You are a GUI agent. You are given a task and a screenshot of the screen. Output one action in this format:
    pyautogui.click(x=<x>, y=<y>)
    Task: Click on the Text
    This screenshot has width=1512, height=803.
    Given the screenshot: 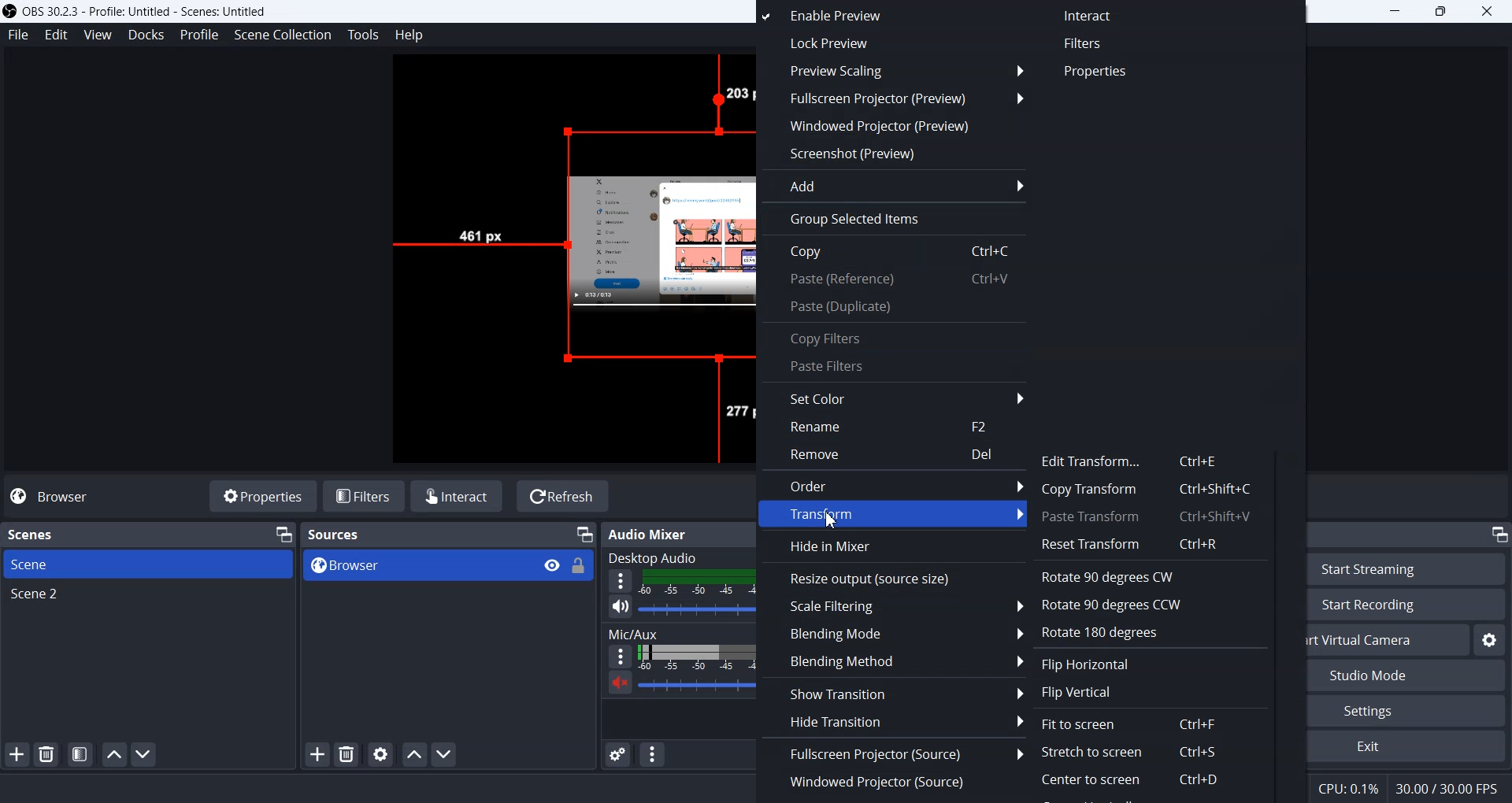 What is the action you would take?
    pyautogui.click(x=351, y=534)
    